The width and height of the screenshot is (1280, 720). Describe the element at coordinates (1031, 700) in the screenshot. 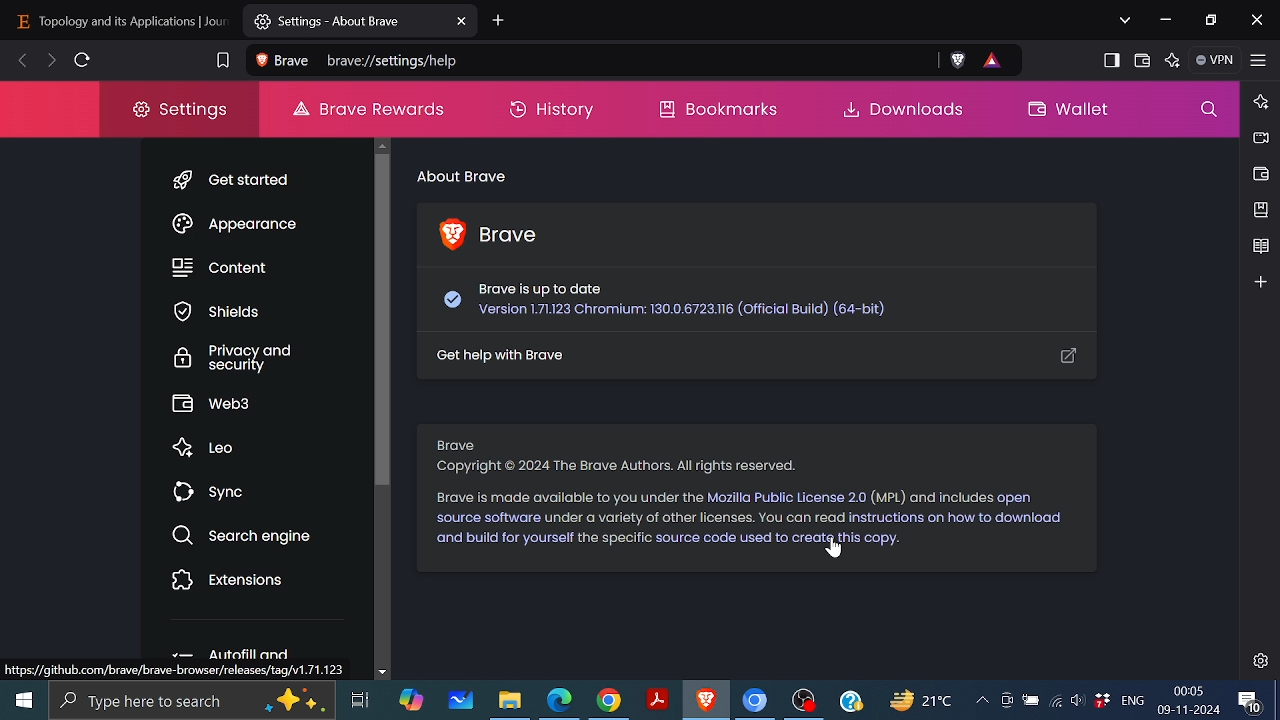

I see `Battrey` at that location.